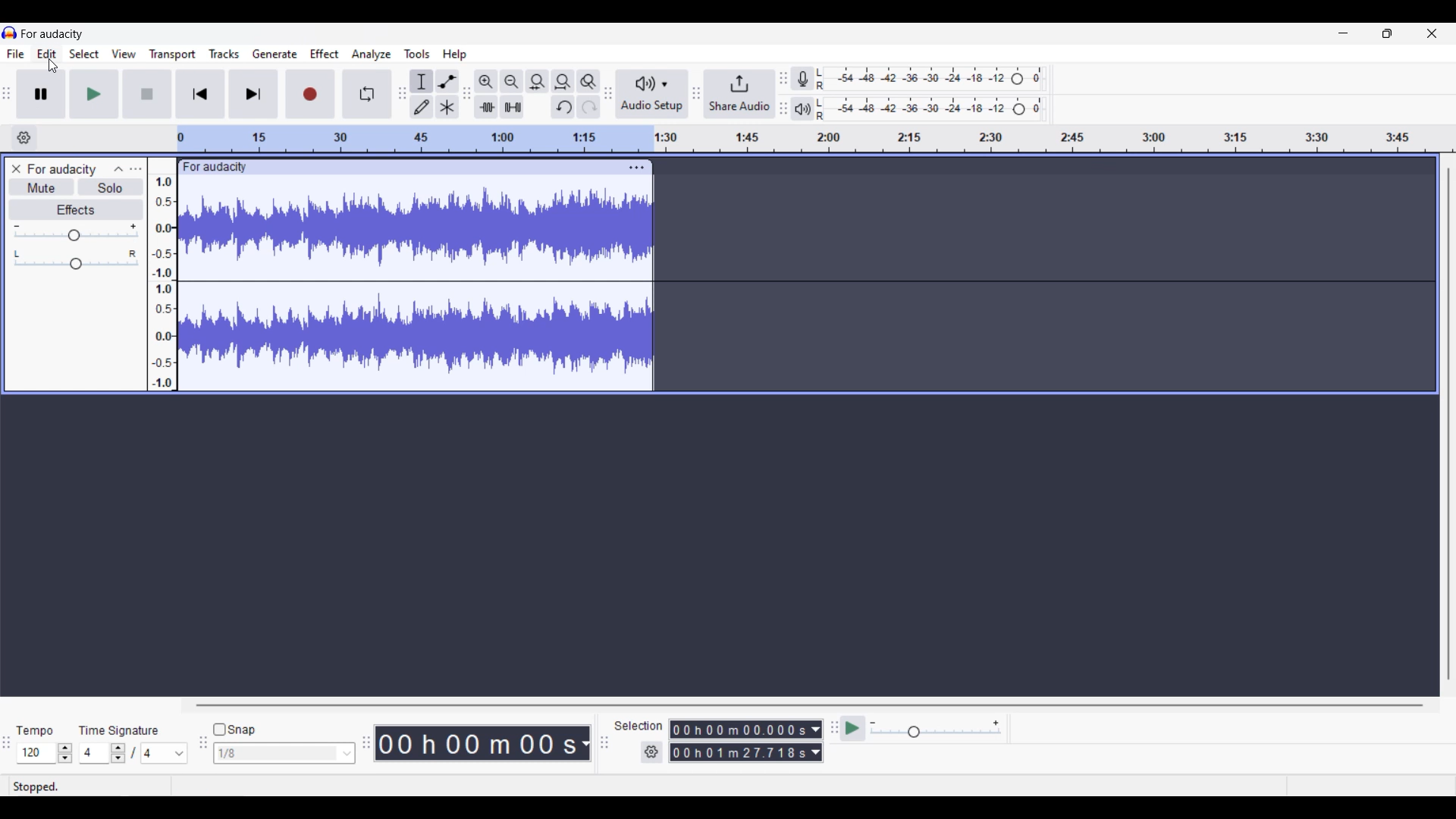  I want to click on Effects, so click(76, 209).